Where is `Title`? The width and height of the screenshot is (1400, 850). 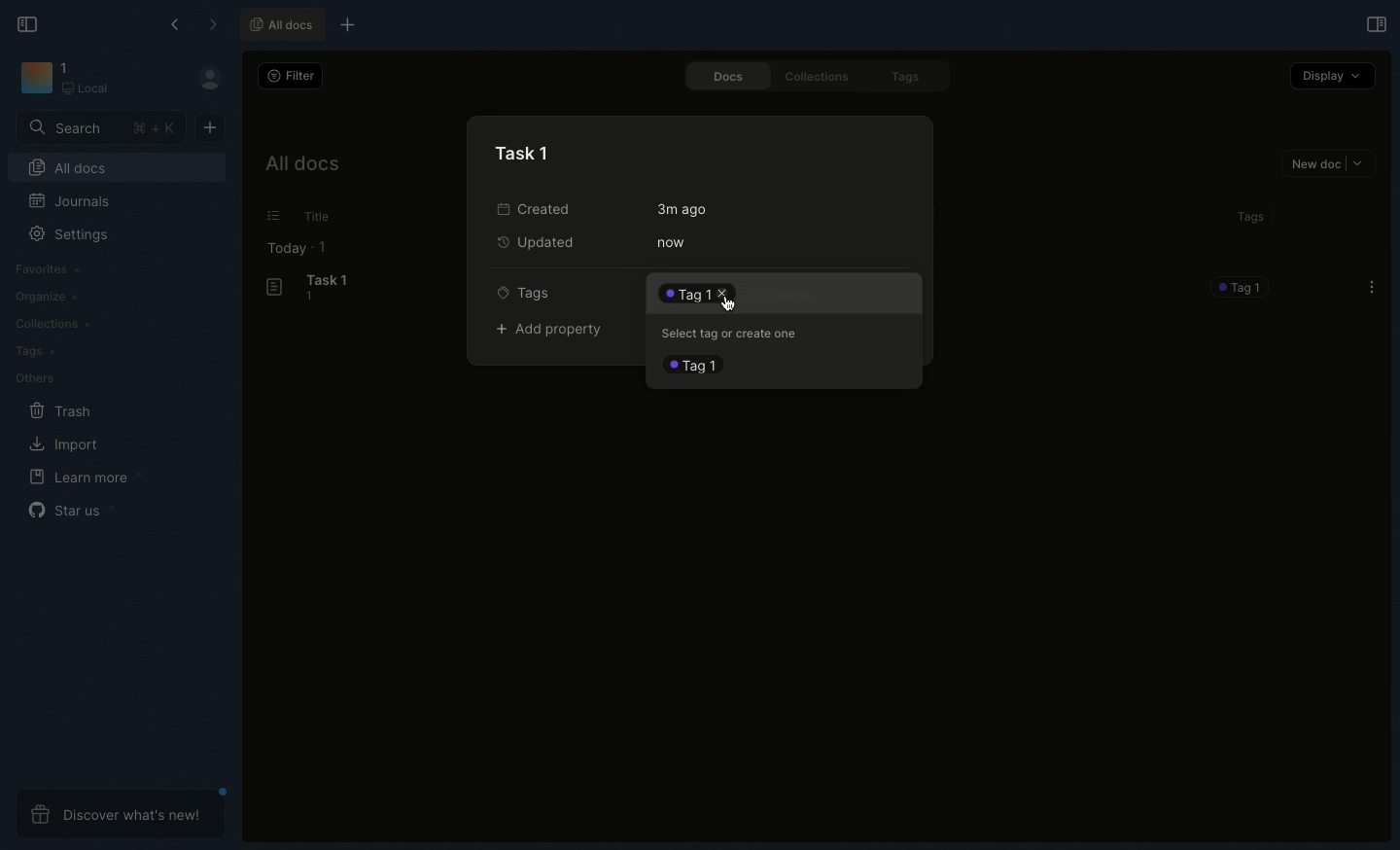
Title is located at coordinates (325, 216).